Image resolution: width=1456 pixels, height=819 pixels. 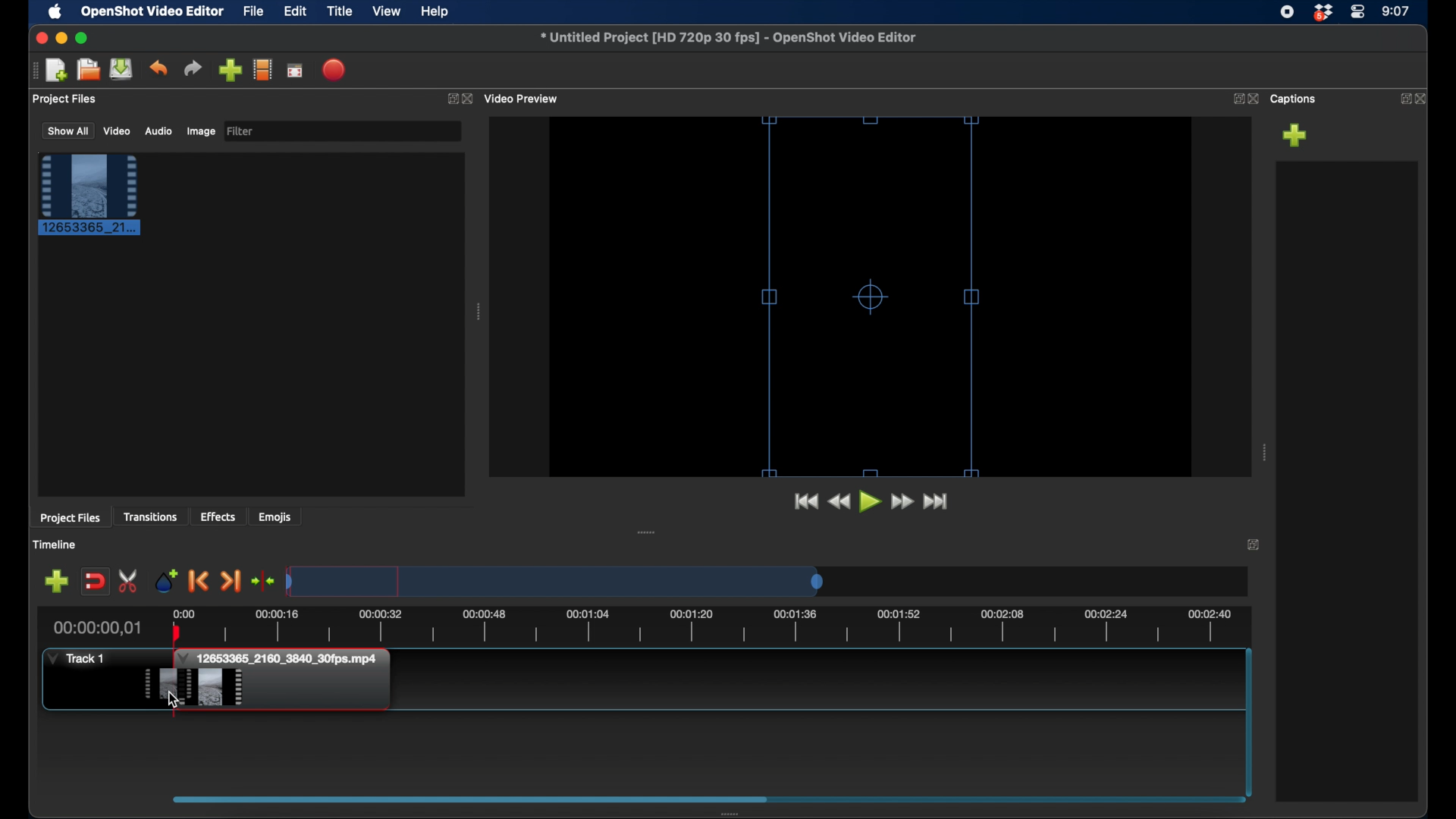 What do you see at coordinates (30, 71) in the screenshot?
I see `drag handle` at bounding box center [30, 71].